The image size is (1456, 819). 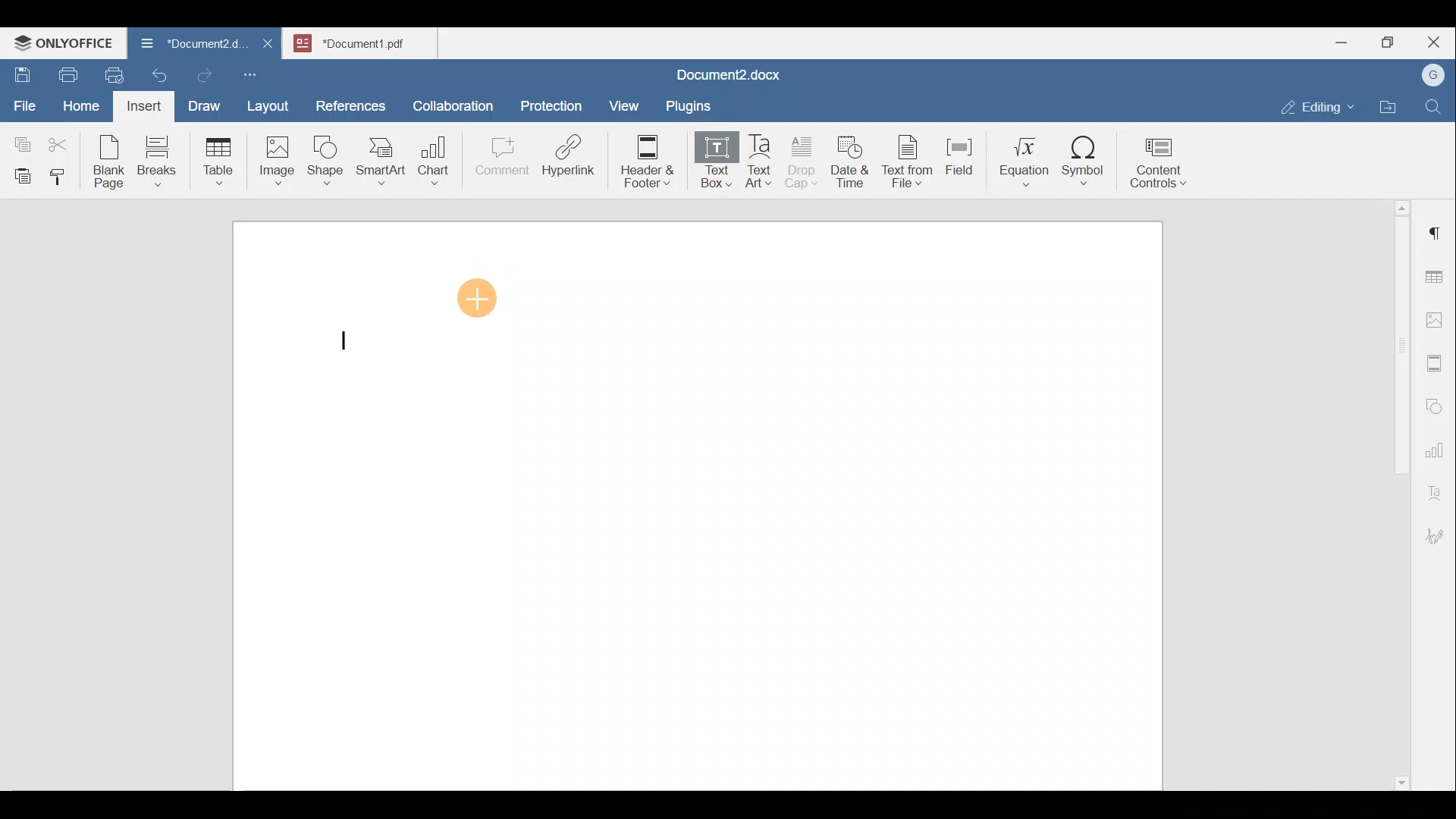 What do you see at coordinates (1436, 487) in the screenshot?
I see `Text Art settings` at bounding box center [1436, 487].